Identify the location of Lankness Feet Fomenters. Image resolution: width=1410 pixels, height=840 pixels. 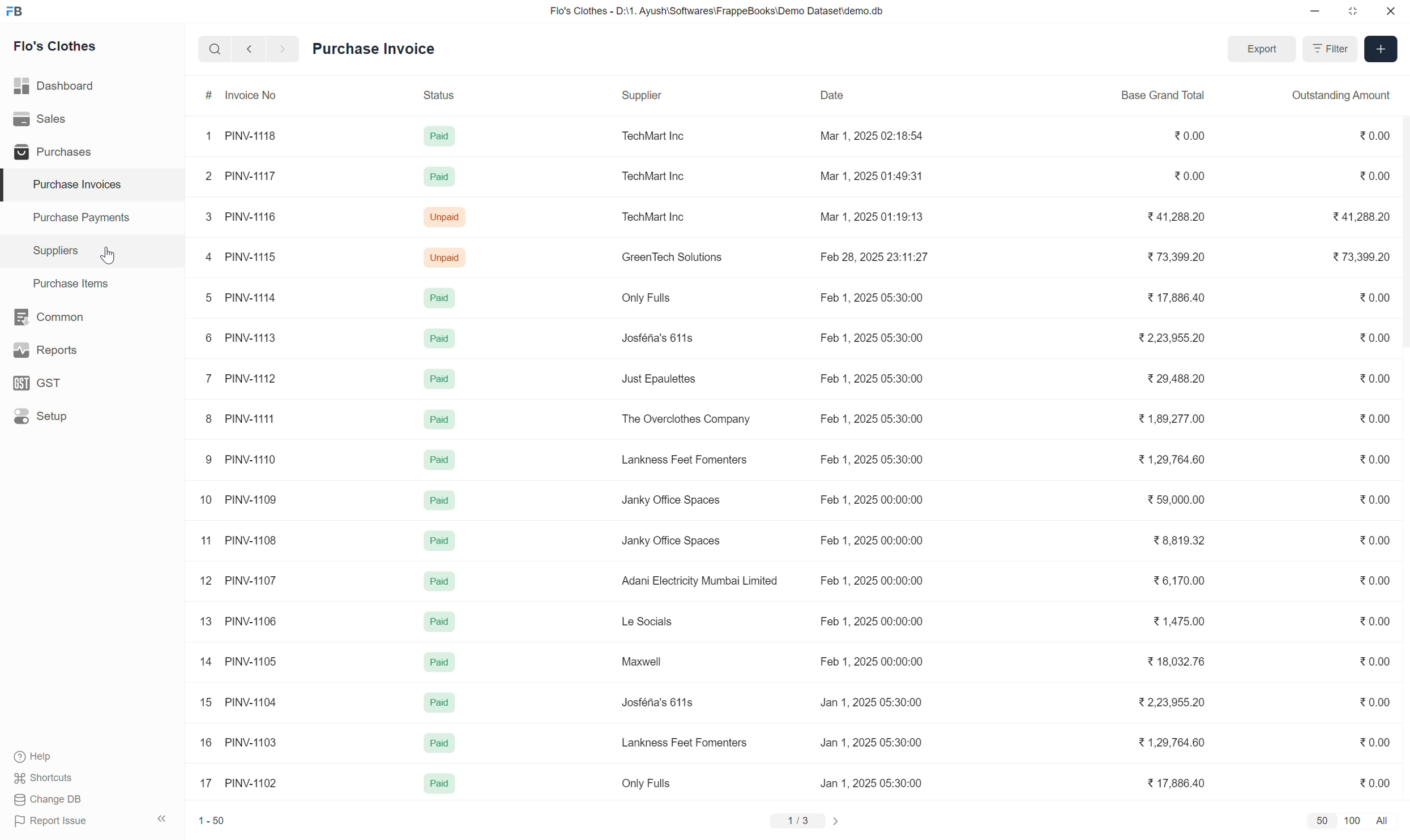
(684, 739).